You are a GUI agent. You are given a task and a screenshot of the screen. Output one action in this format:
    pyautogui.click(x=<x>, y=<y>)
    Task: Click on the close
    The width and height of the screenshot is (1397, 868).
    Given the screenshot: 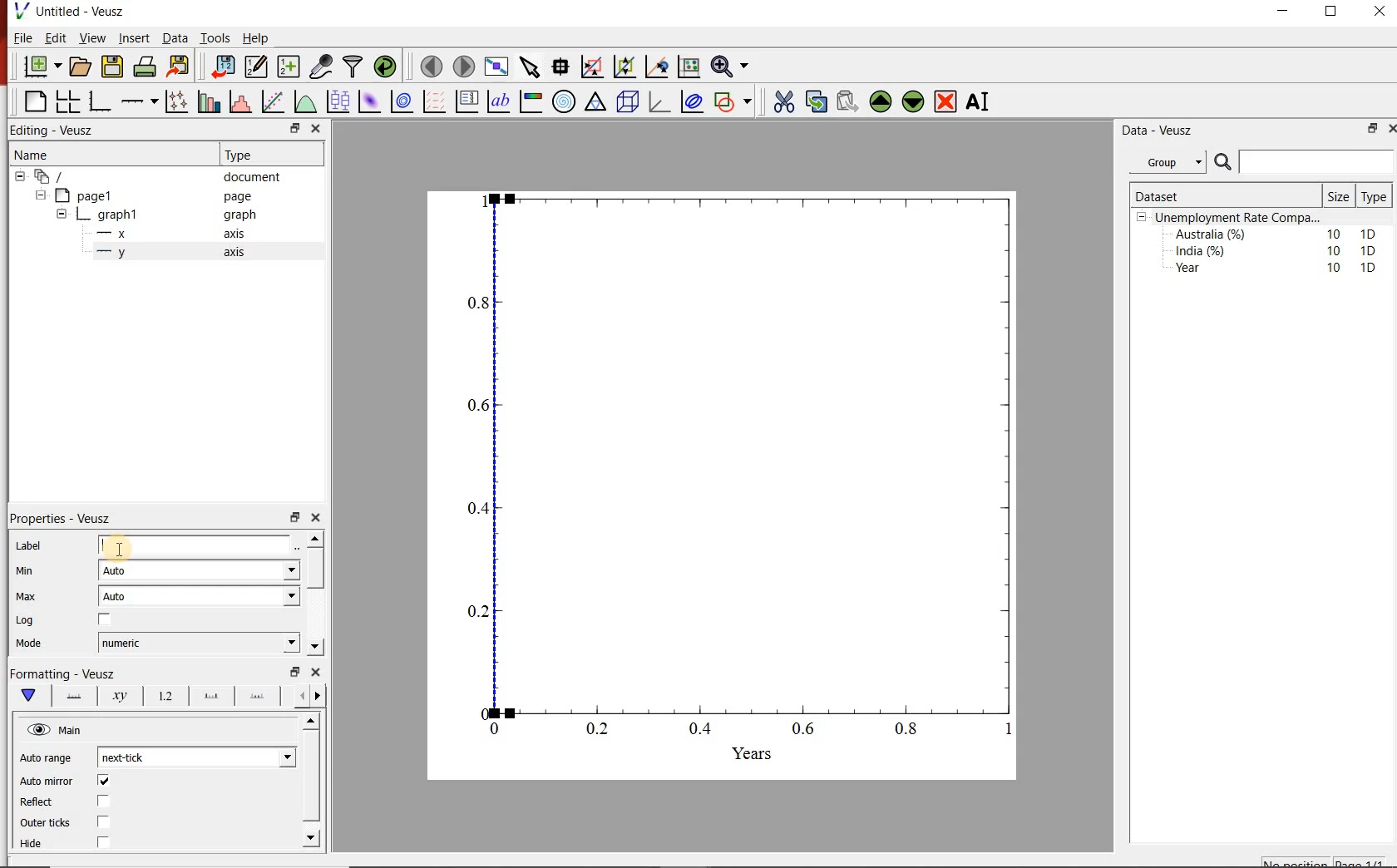 What is the action you would take?
    pyautogui.click(x=1378, y=15)
    